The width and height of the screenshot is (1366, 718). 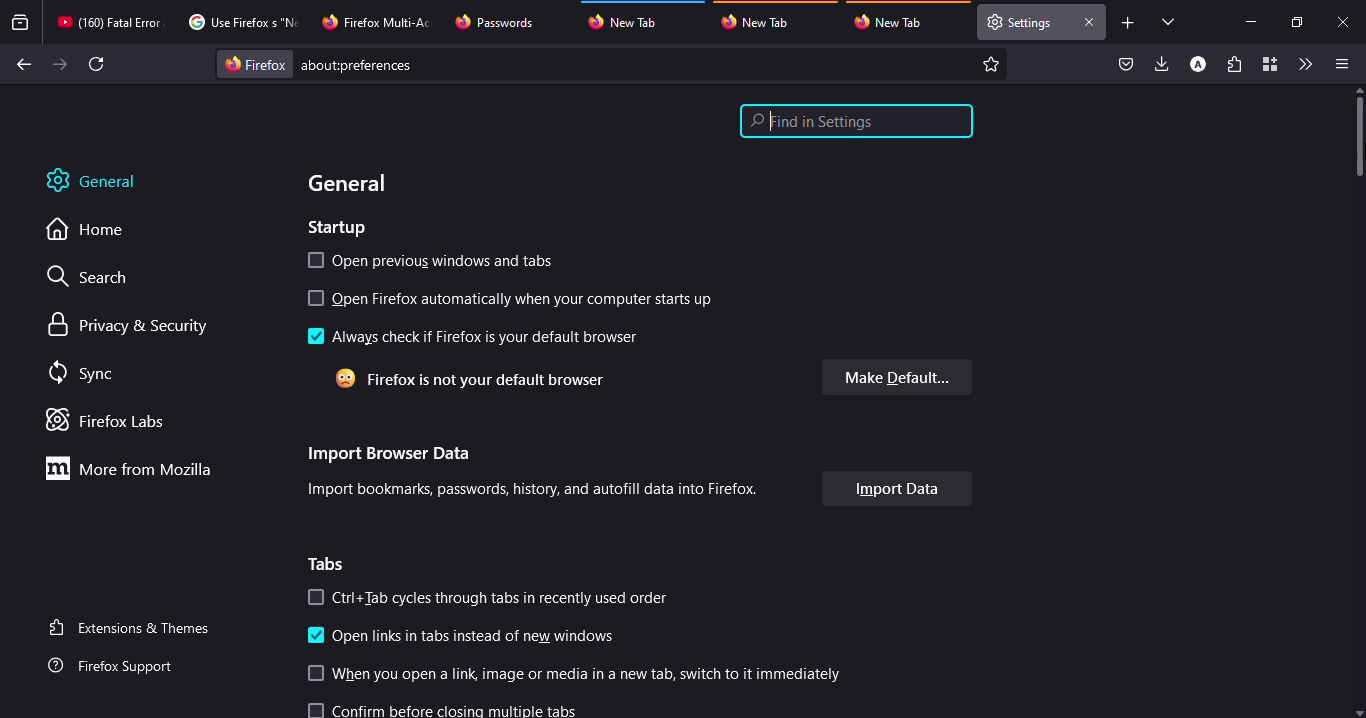 I want to click on maximize, so click(x=1295, y=22).